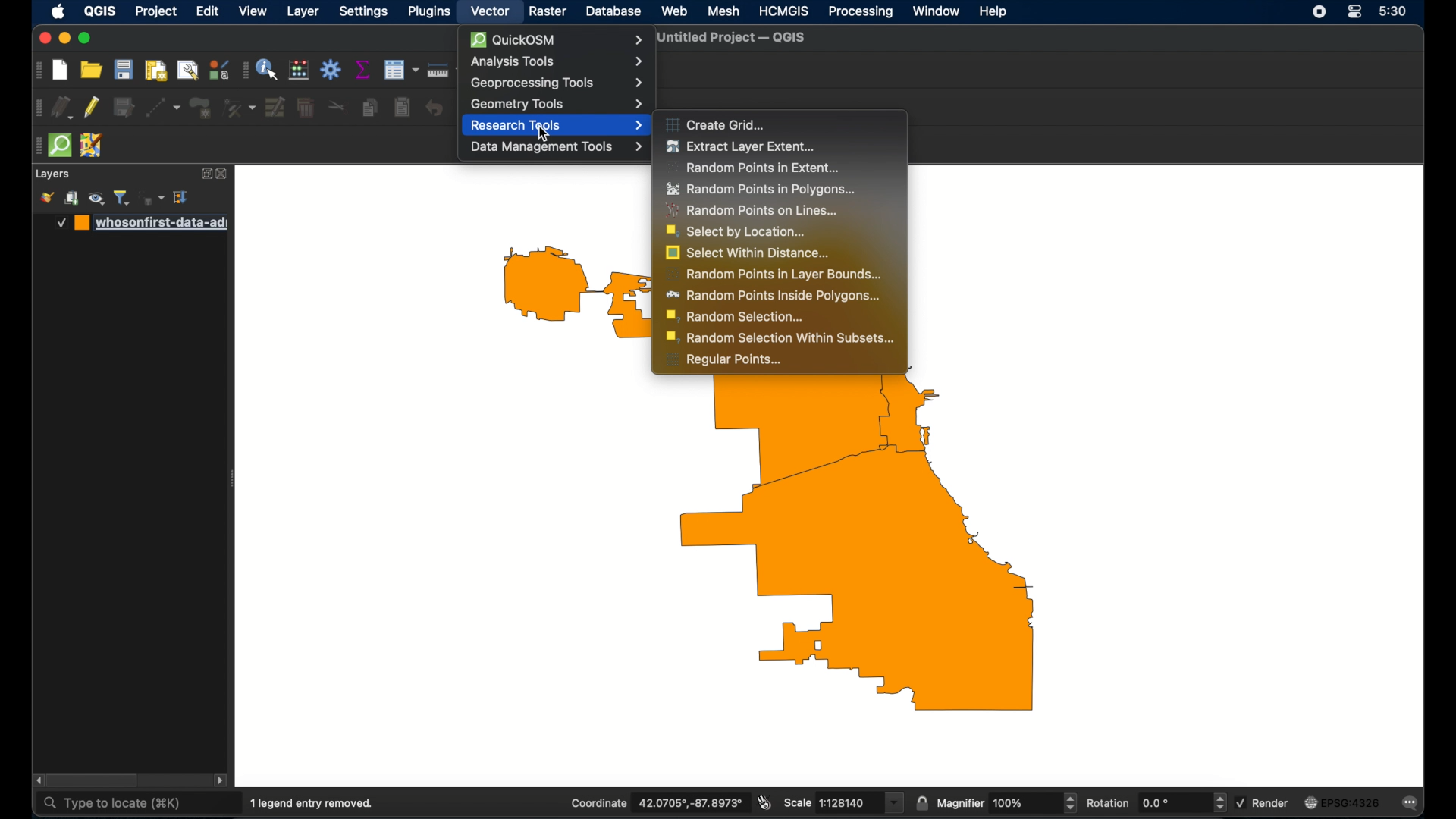 The height and width of the screenshot is (819, 1456). I want to click on random points in layer bounds, so click(771, 274).